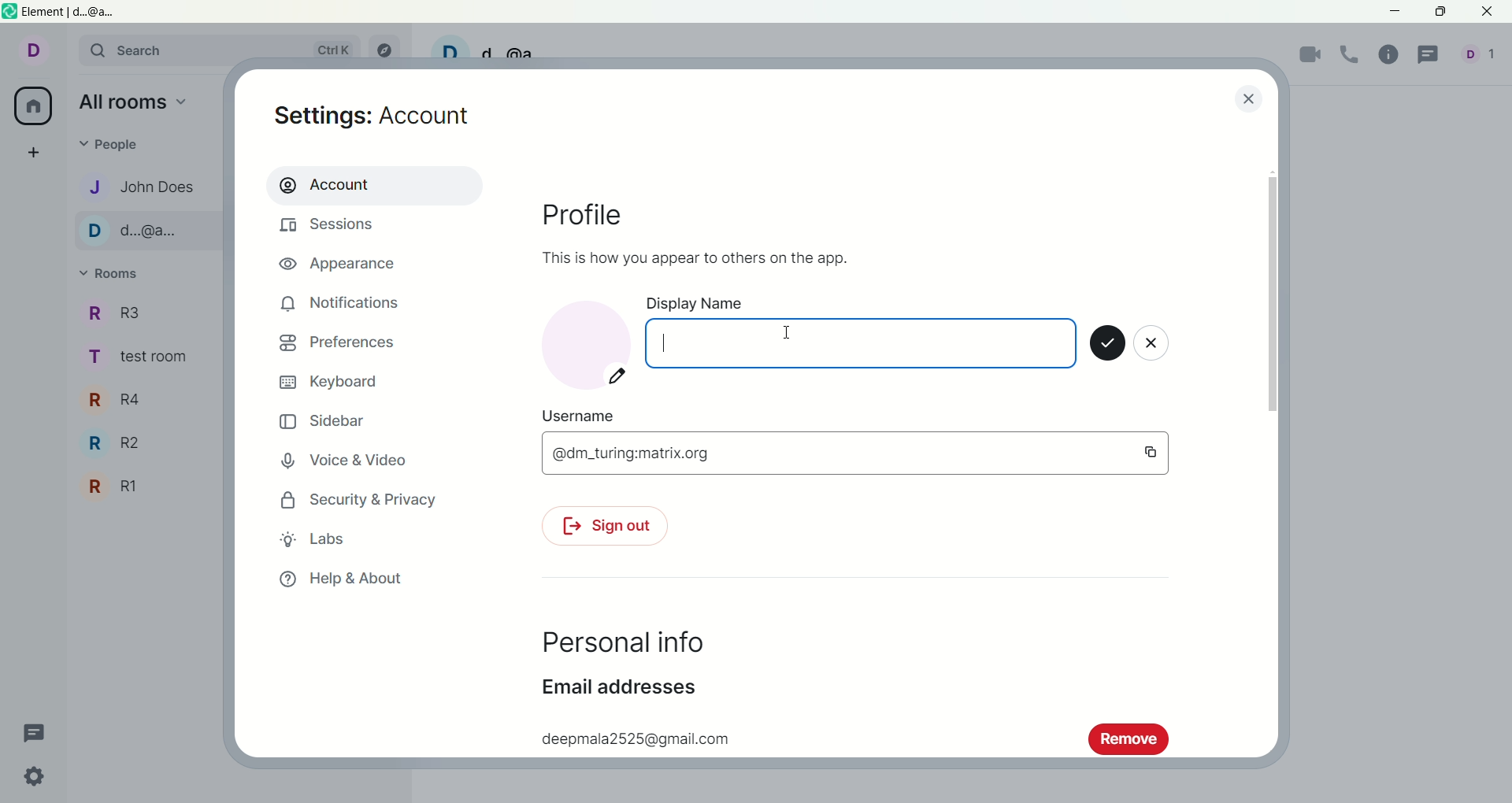 The width and height of the screenshot is (1512, 803). What do you see at coordinates (341, 303) in the screenshot?
I see `notifications` at bounding box center [341, 303].